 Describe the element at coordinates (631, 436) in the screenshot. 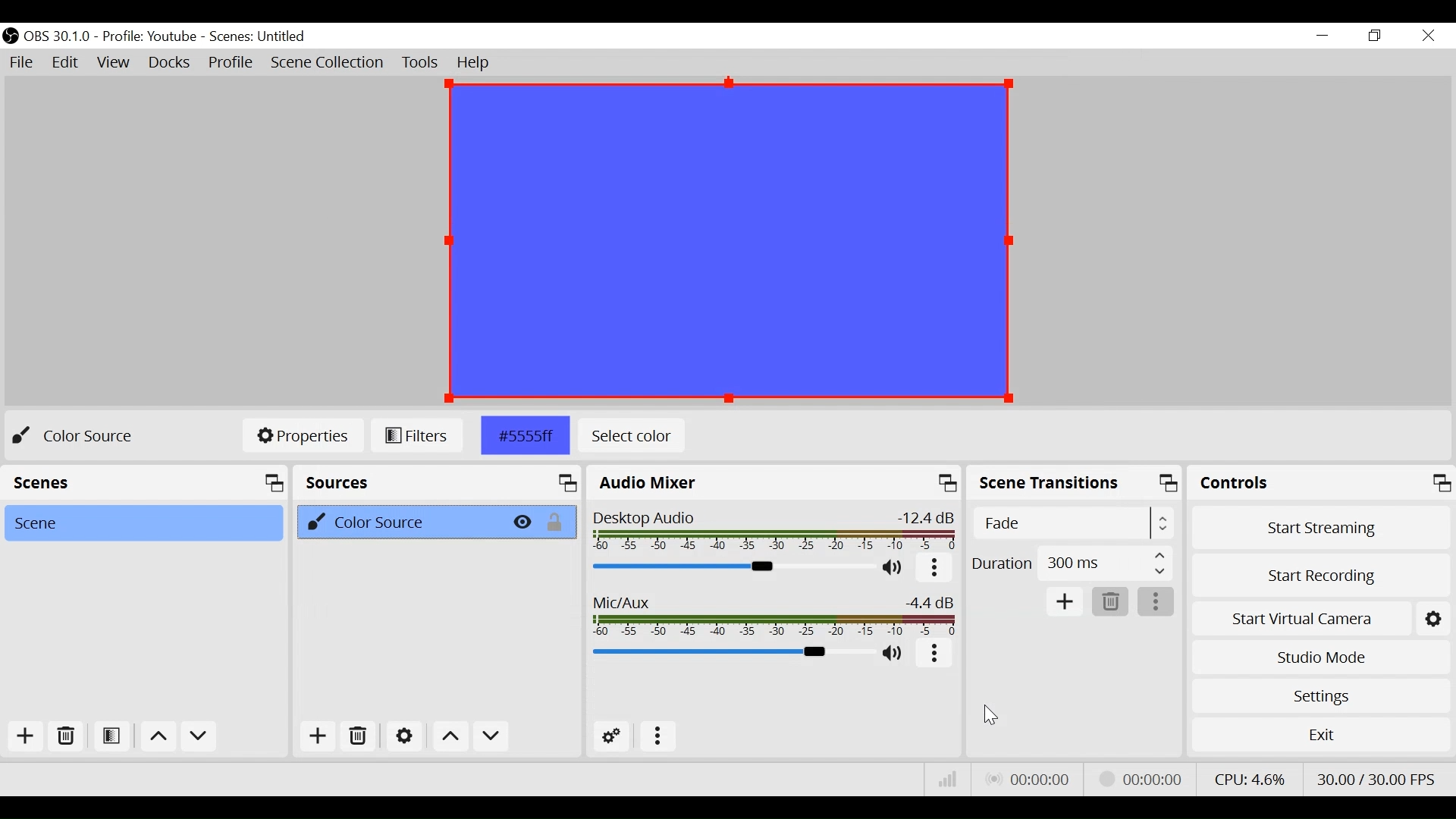

I see `Select Color` at that location.